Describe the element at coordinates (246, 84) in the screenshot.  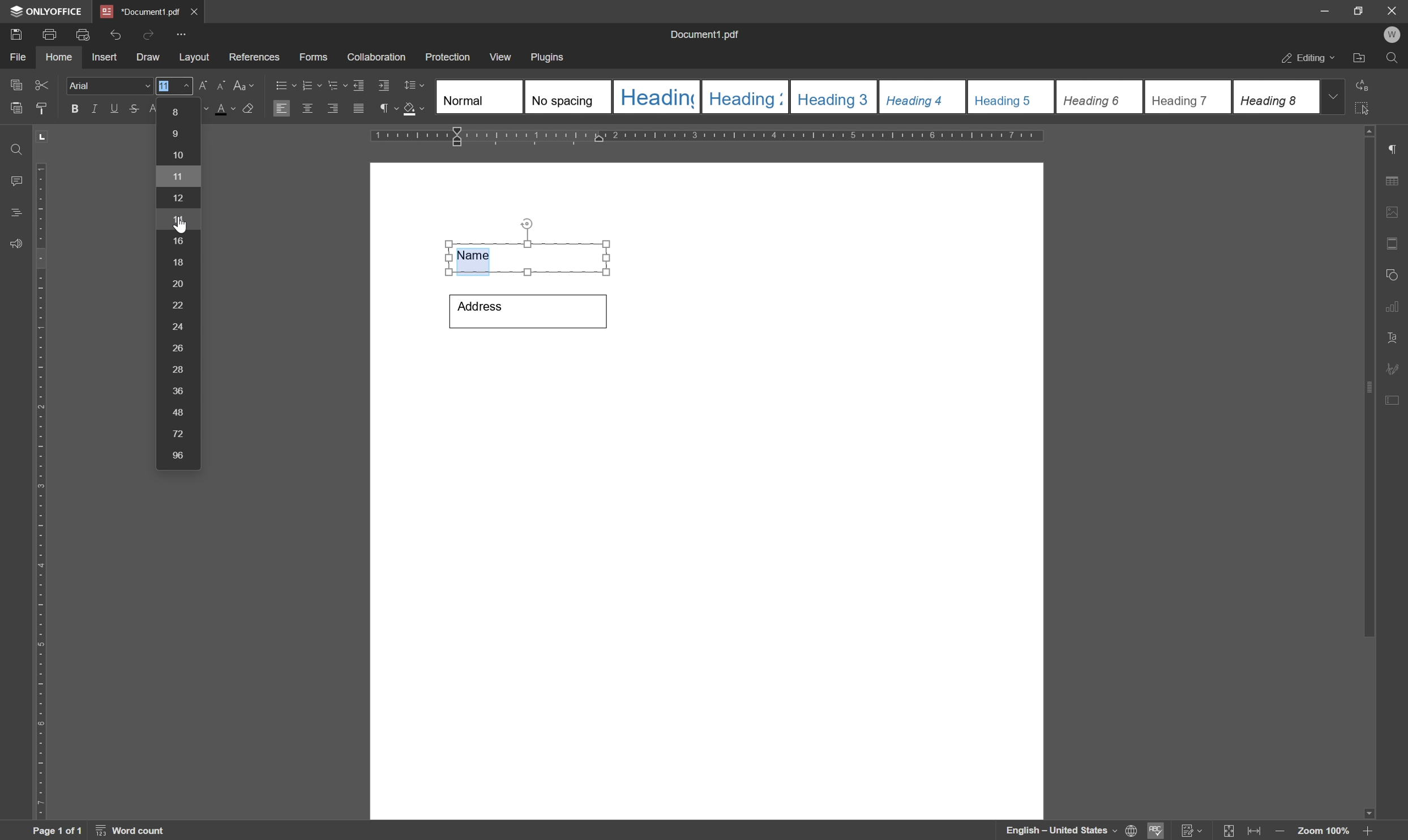
I see `change case` at that location.